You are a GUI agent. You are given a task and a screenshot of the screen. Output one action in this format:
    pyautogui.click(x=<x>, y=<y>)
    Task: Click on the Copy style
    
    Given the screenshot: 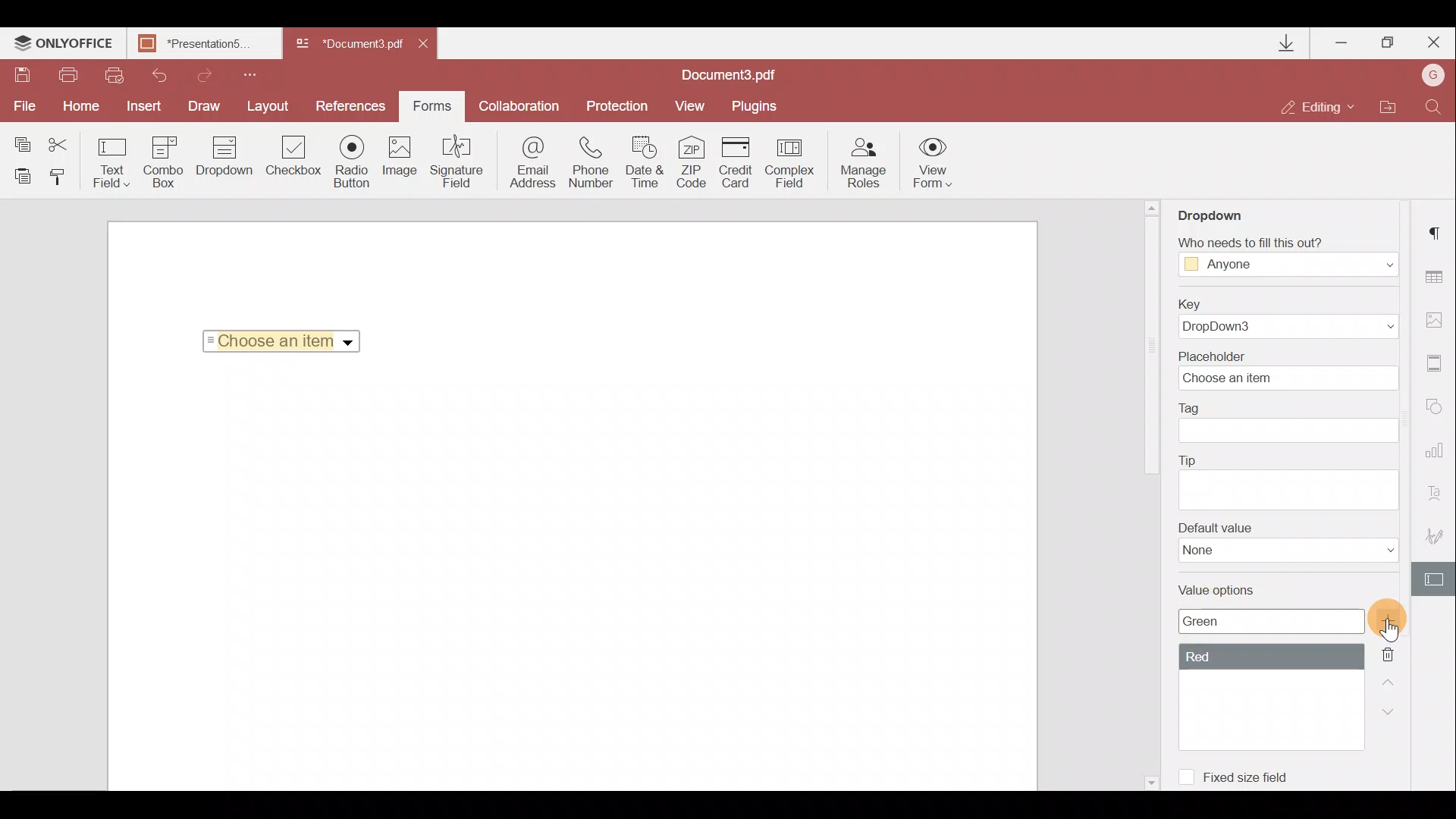 What is the action you would take?
    pyautogui.click(x=63, y=180)
    